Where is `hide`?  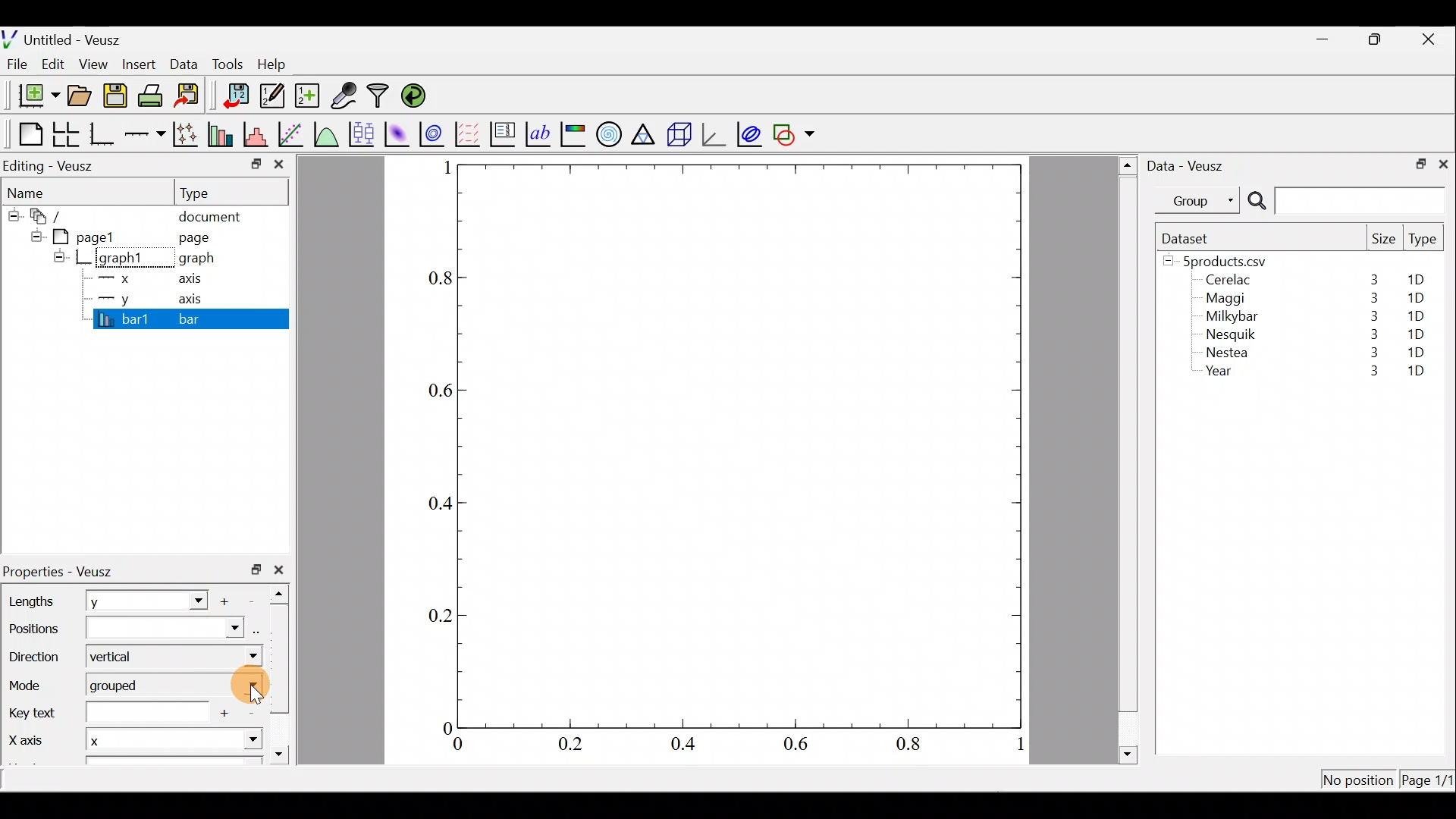
hide is located at coordinates (33, 234).